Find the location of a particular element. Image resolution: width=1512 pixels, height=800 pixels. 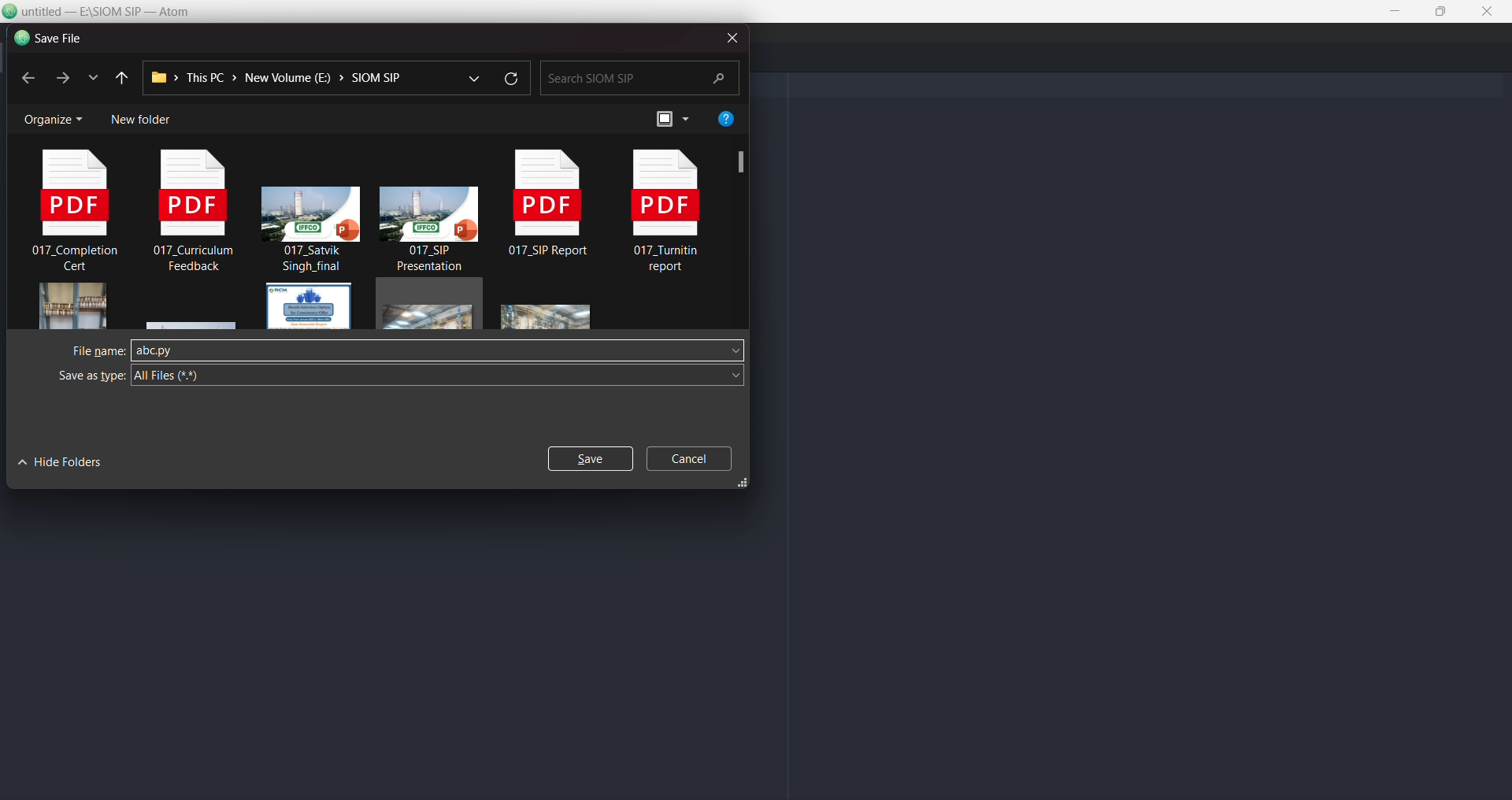

pdf file is located at coordinates (667, 212).